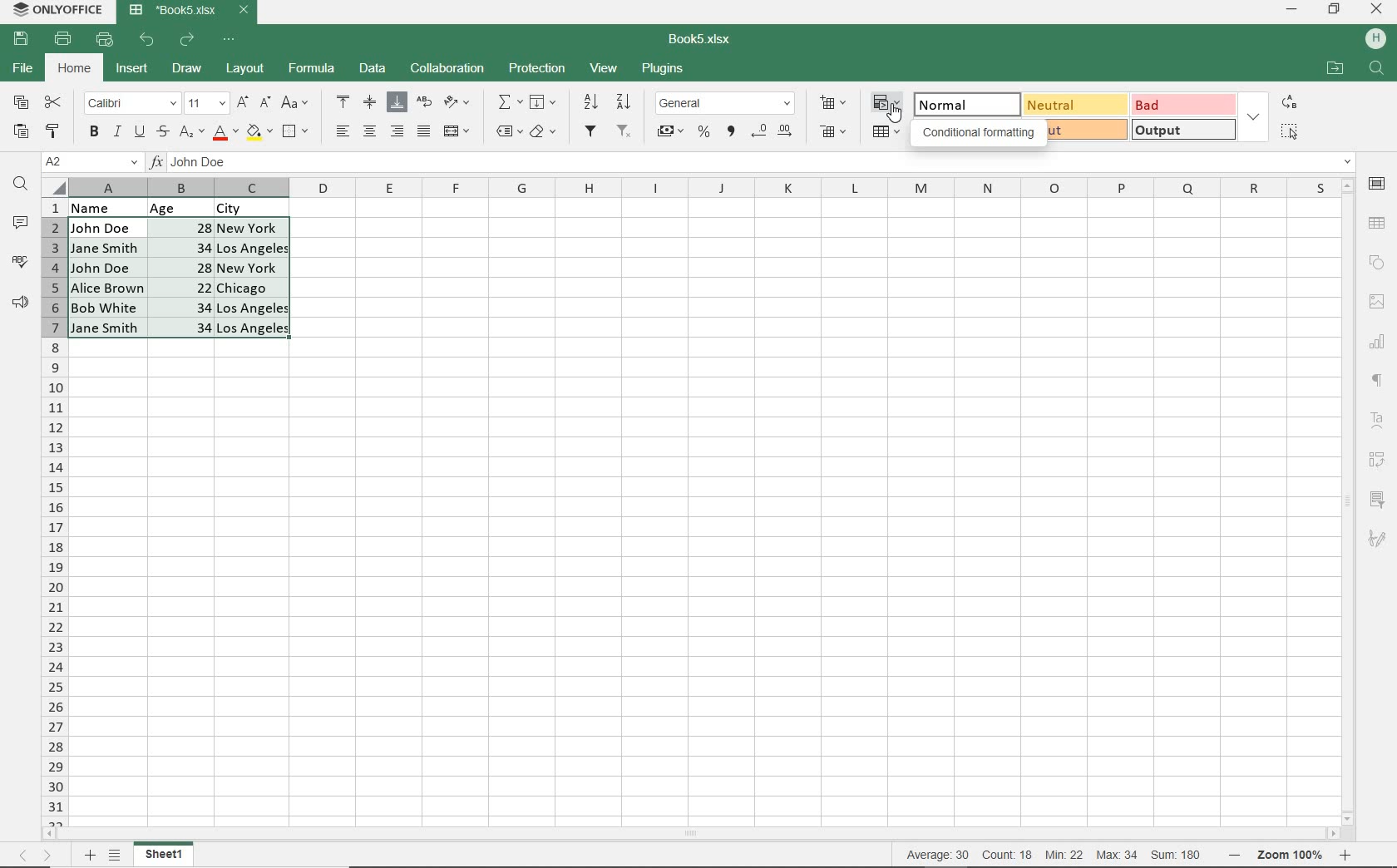  What do you see at coordinates (727, 102) in the screenshot?
I see `NUMBER FORMAT` at bounding box center [727, 102].